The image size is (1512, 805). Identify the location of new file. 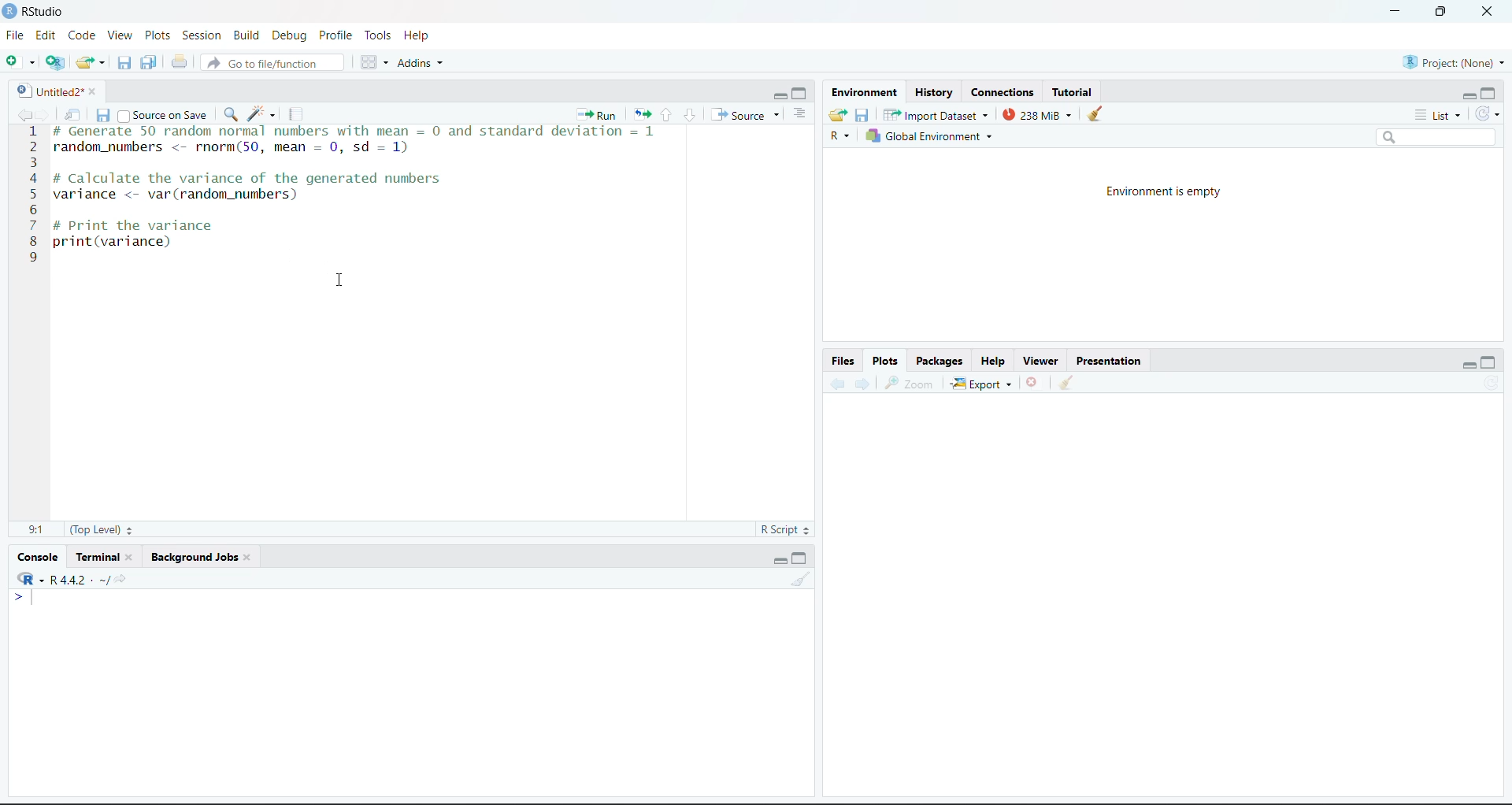
(20, 61).